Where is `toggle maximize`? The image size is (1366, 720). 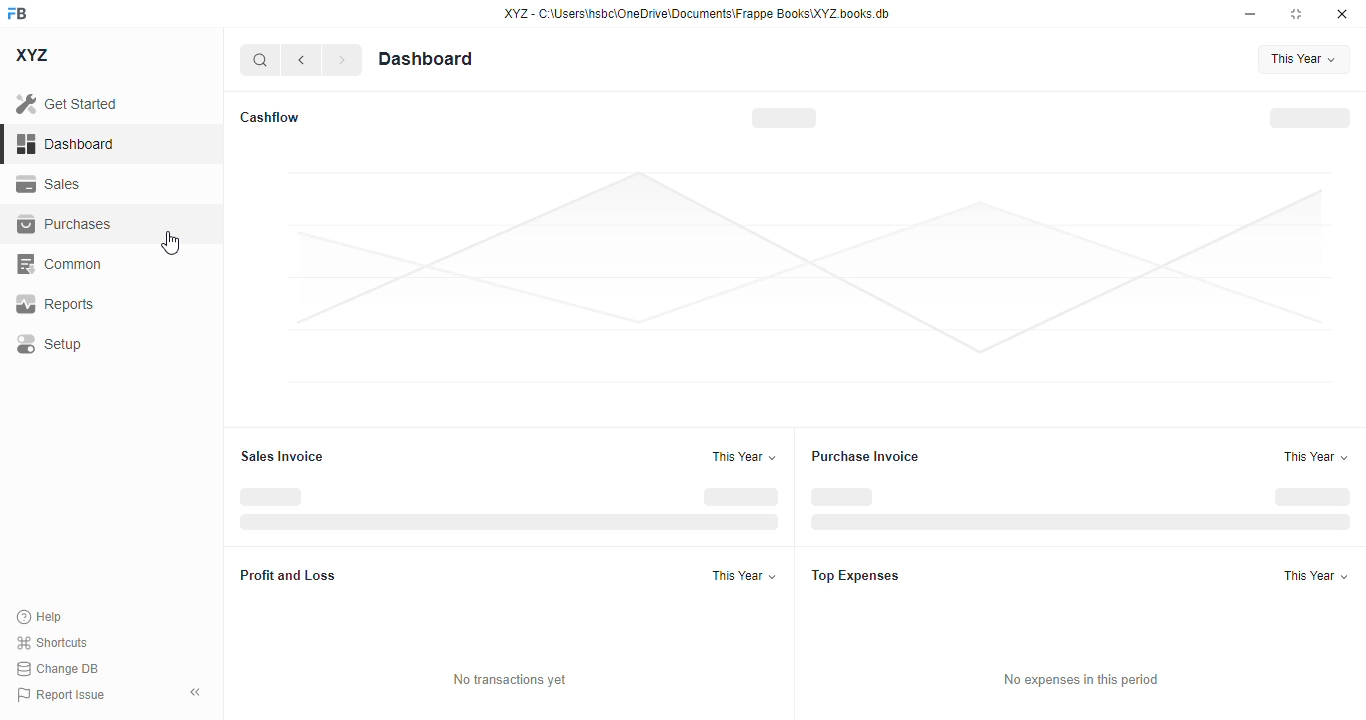
toggle maximize is located at coordinates (1295, 13).